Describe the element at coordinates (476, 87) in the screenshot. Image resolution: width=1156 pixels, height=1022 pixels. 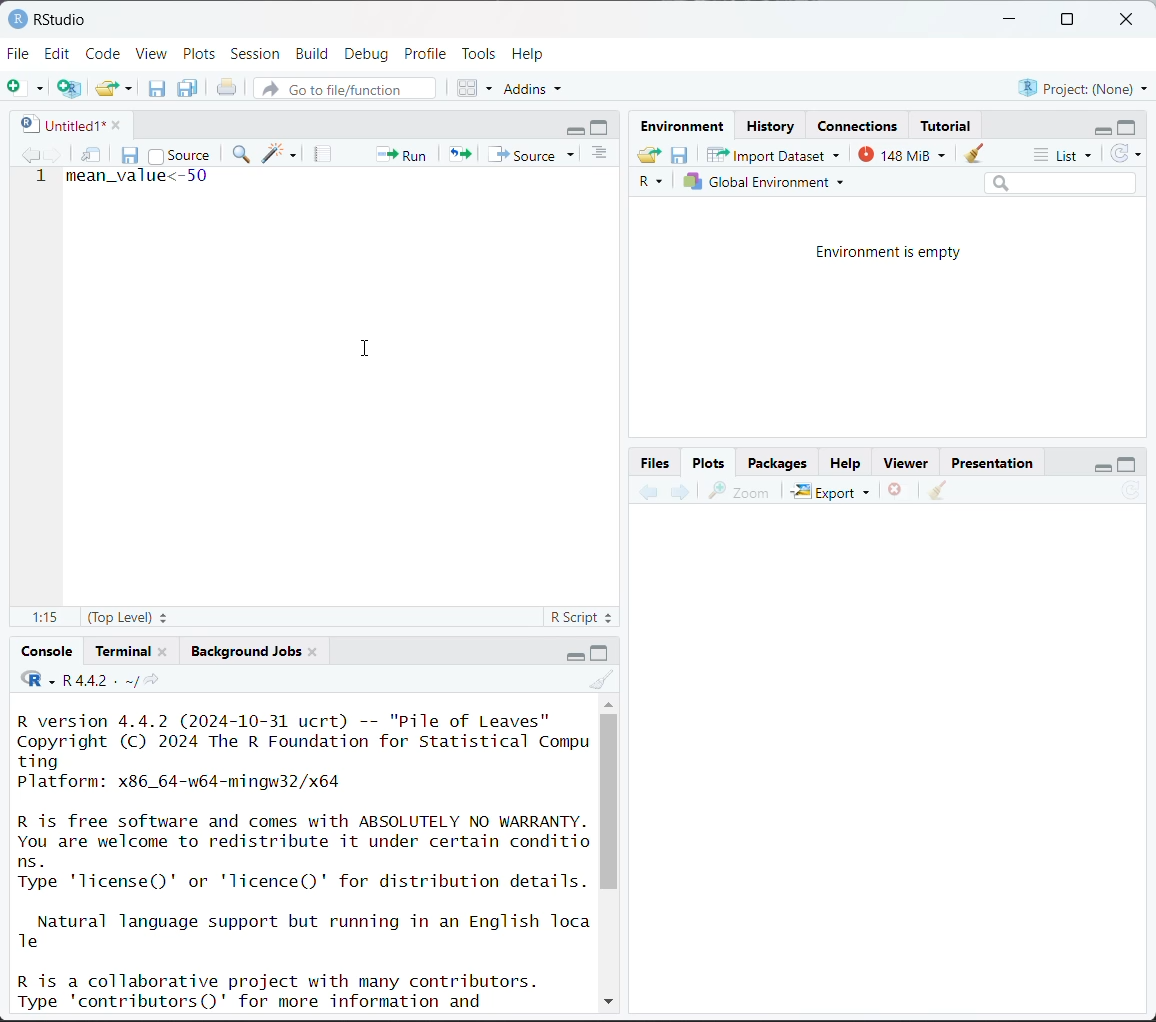
I see `workspace panes` at that location.